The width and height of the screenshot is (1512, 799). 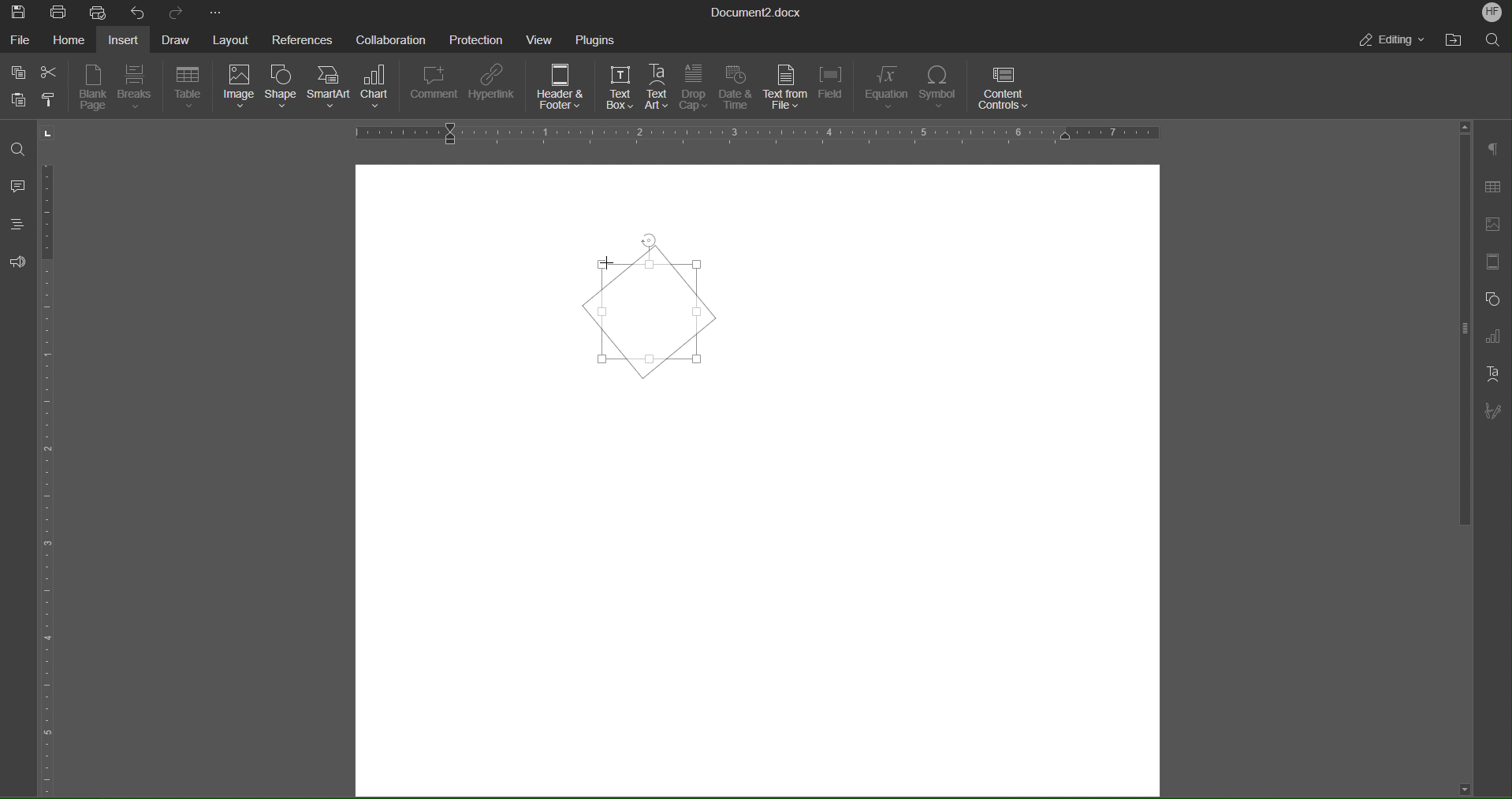 I want to click on Textbox, so click(x=646, y=301).